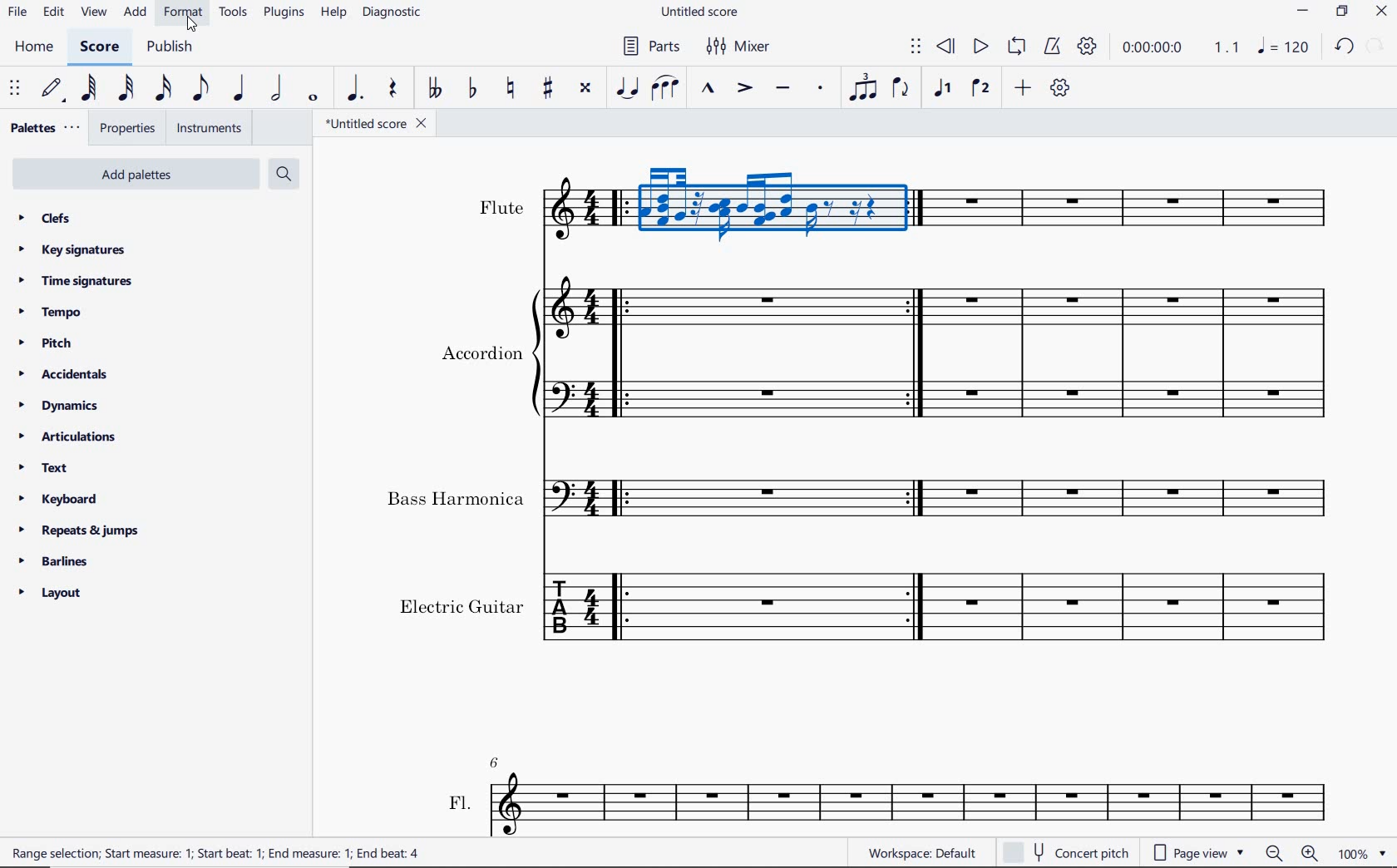 This screenshot has width=1397, height=868. I want to click on tools, so click(235, 13).